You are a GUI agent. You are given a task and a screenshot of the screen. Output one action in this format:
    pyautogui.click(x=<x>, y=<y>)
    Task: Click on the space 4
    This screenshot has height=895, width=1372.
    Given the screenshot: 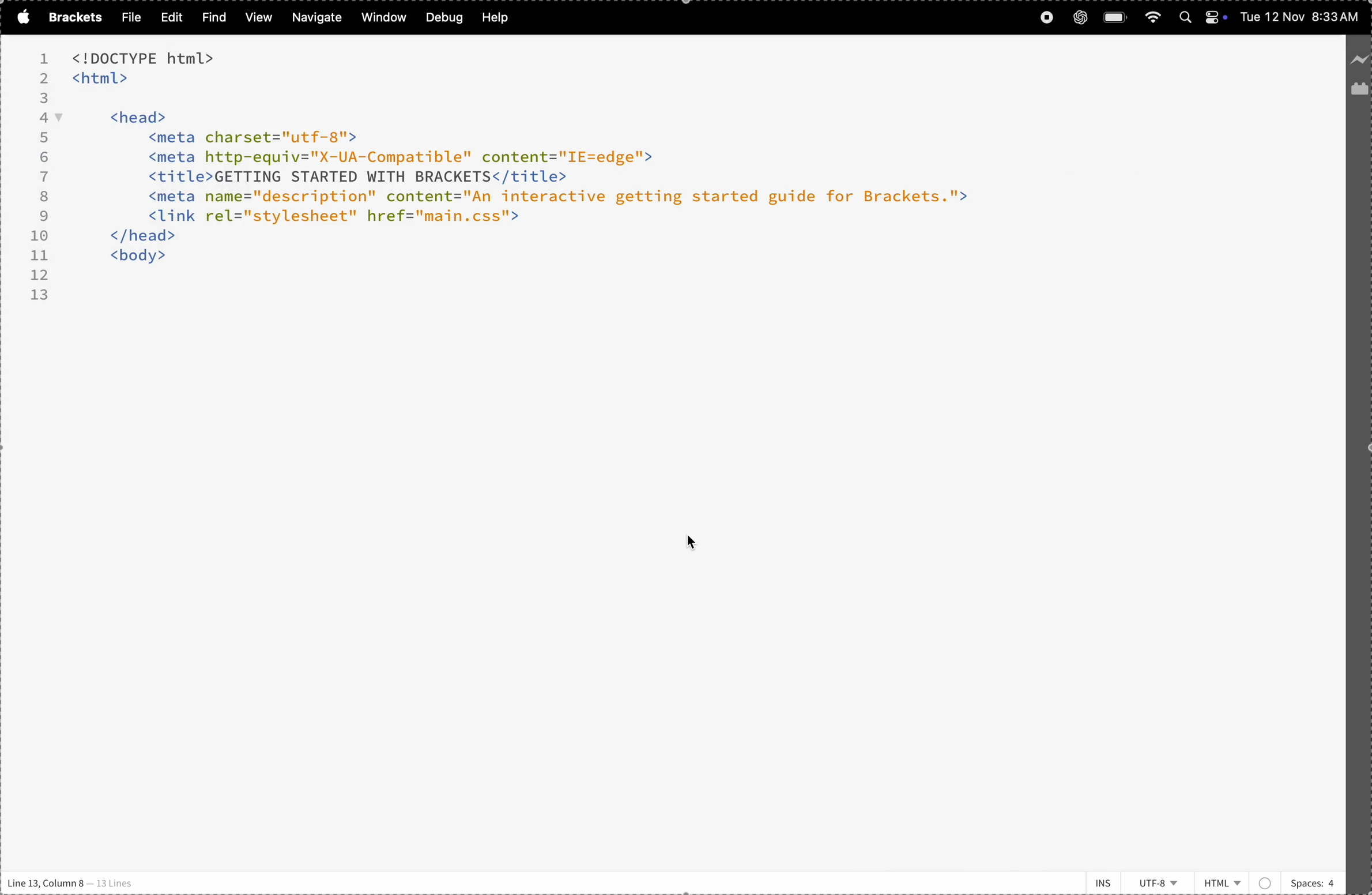 What is the action you would take?
    pyautogui.click(x=1312, y=881)
    